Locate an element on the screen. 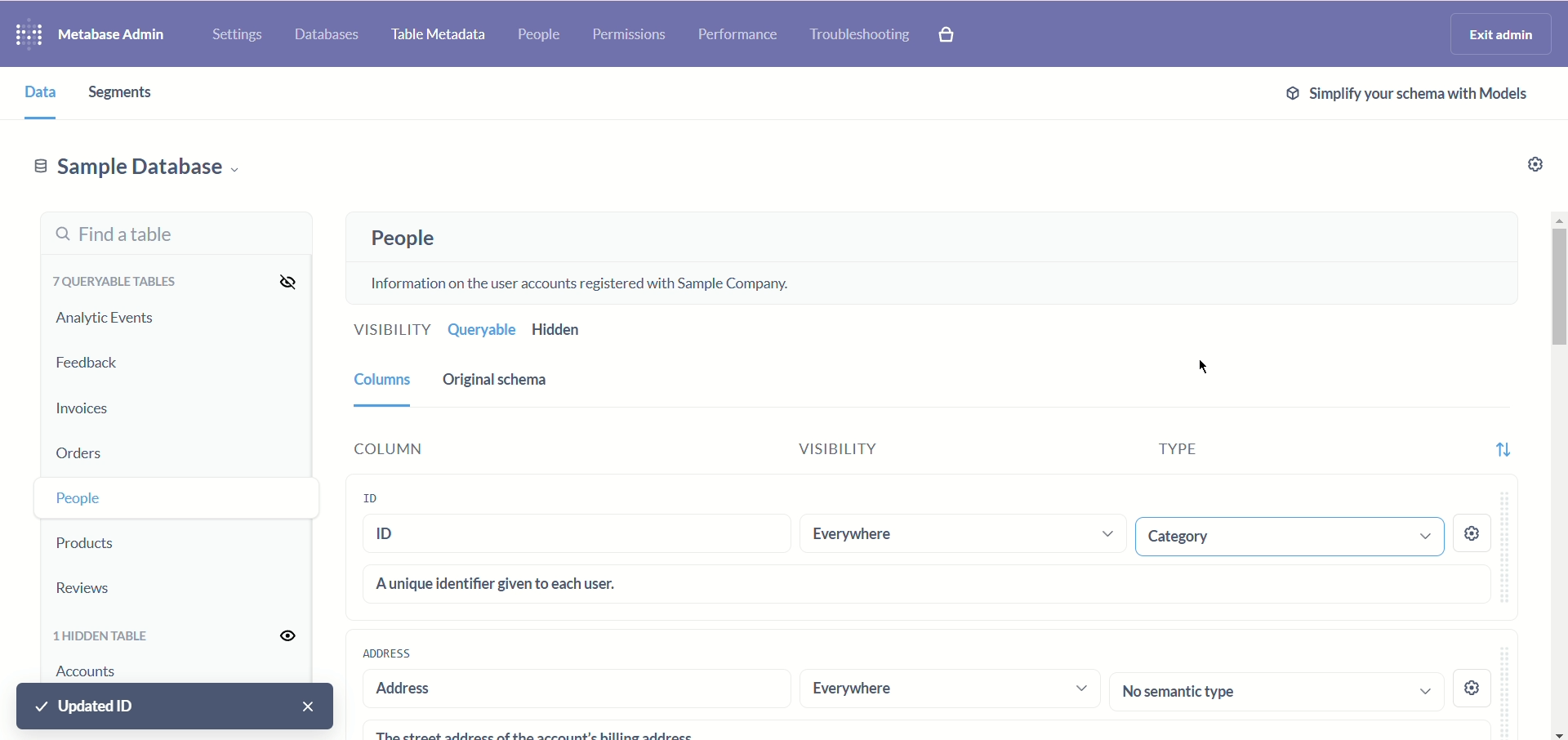 The image size is (1568, 740). visibility is located at coordinates (862, 452).